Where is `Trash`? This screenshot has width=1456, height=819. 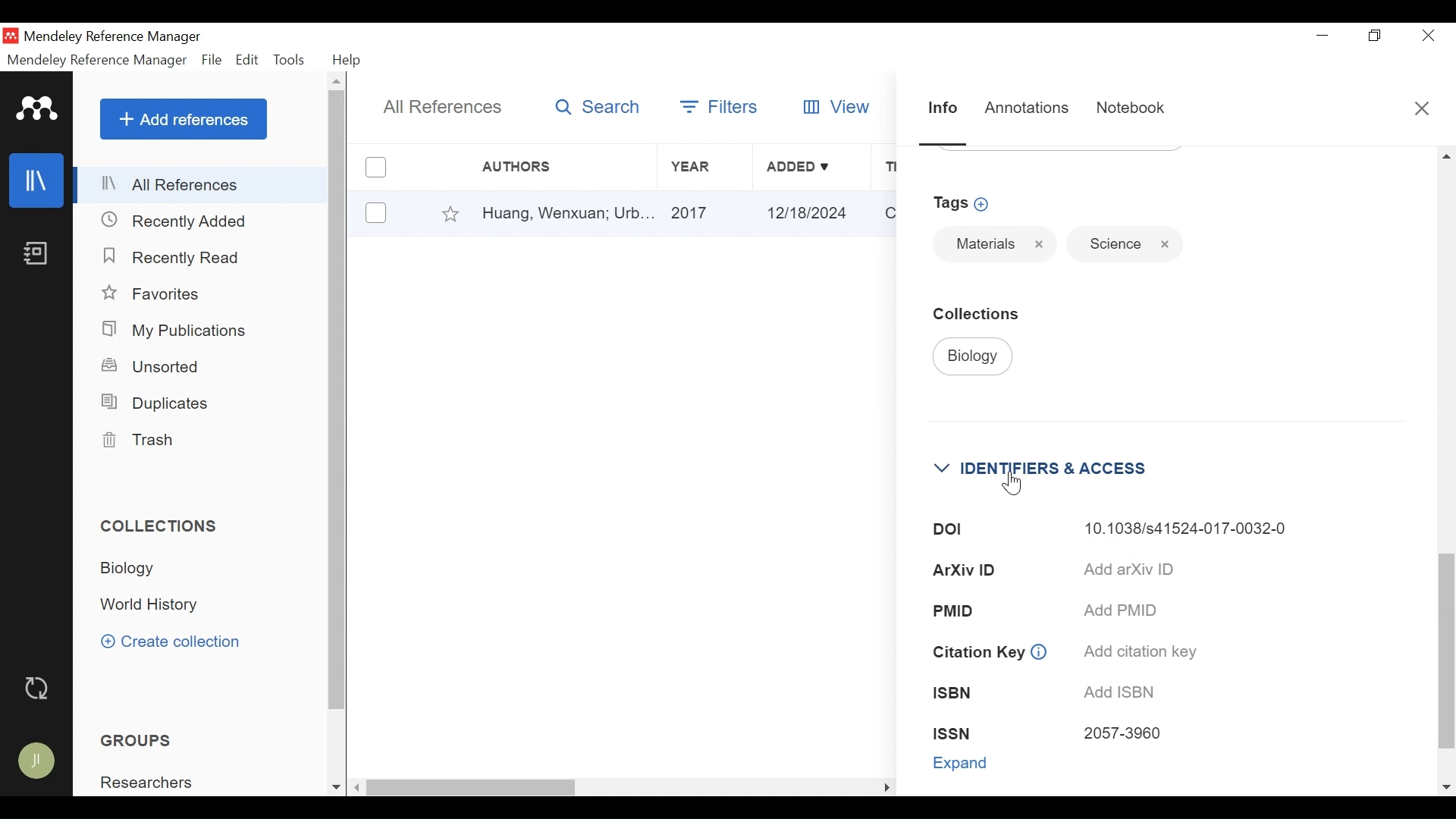
Trash is located at coordinates (146, 440).